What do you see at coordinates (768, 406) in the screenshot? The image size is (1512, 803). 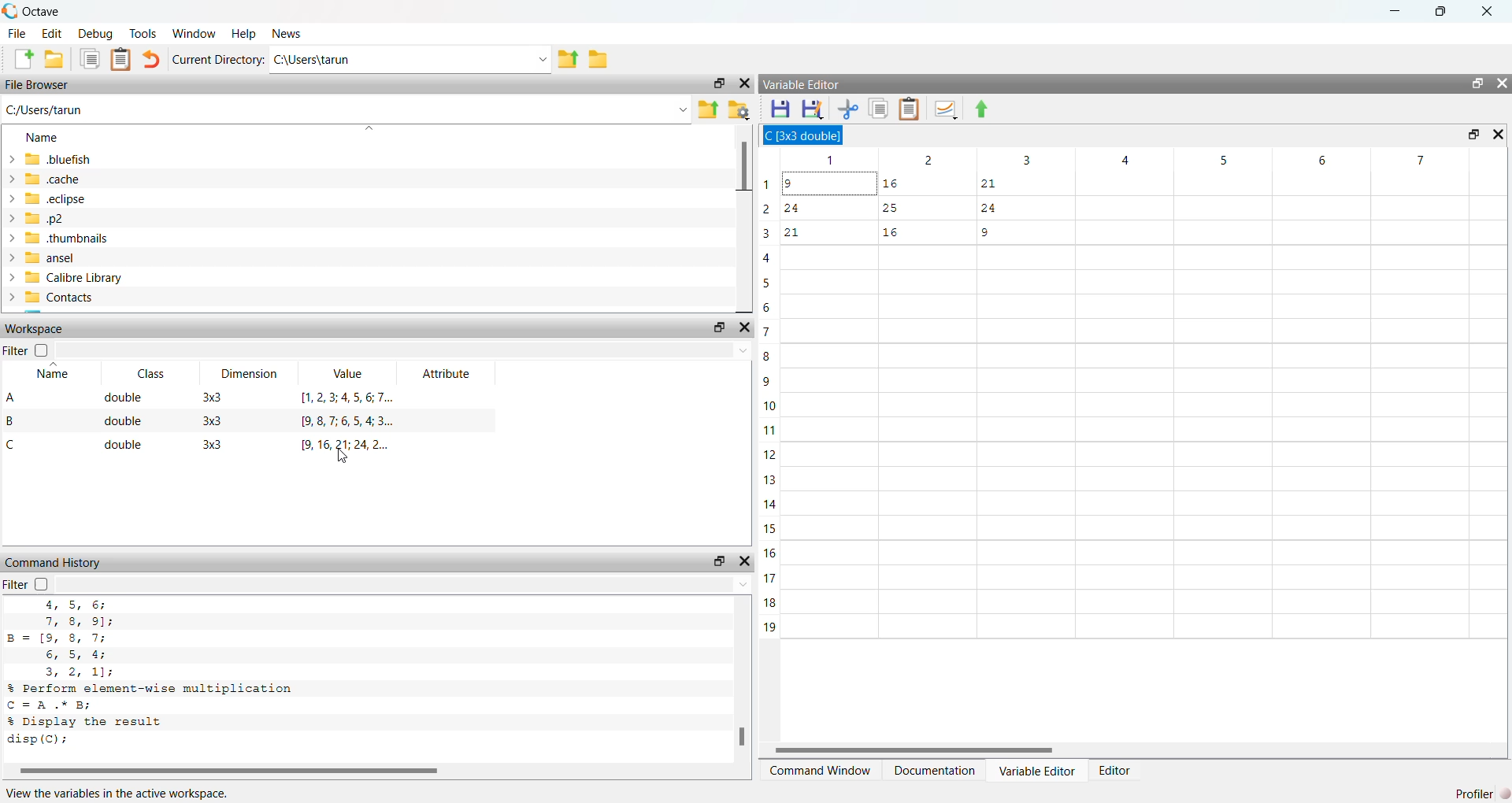 I see `Rows` at bounding box center [768, 406].